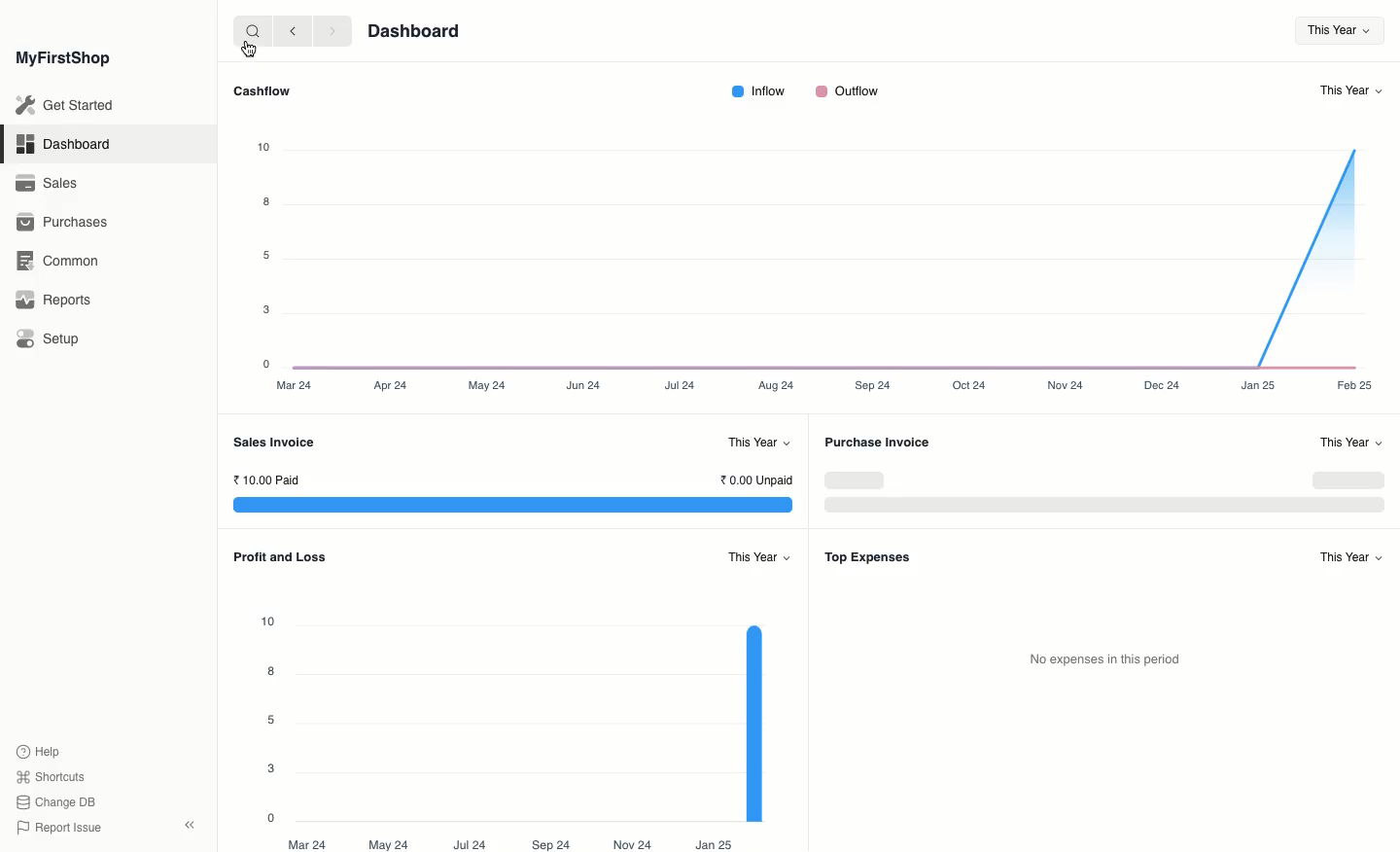 This screenshot has width=1400, height=852. What do you see at coordinates (683, 388) in the screenshot?
I see `Jul 24` at bounding box center [683, 388].